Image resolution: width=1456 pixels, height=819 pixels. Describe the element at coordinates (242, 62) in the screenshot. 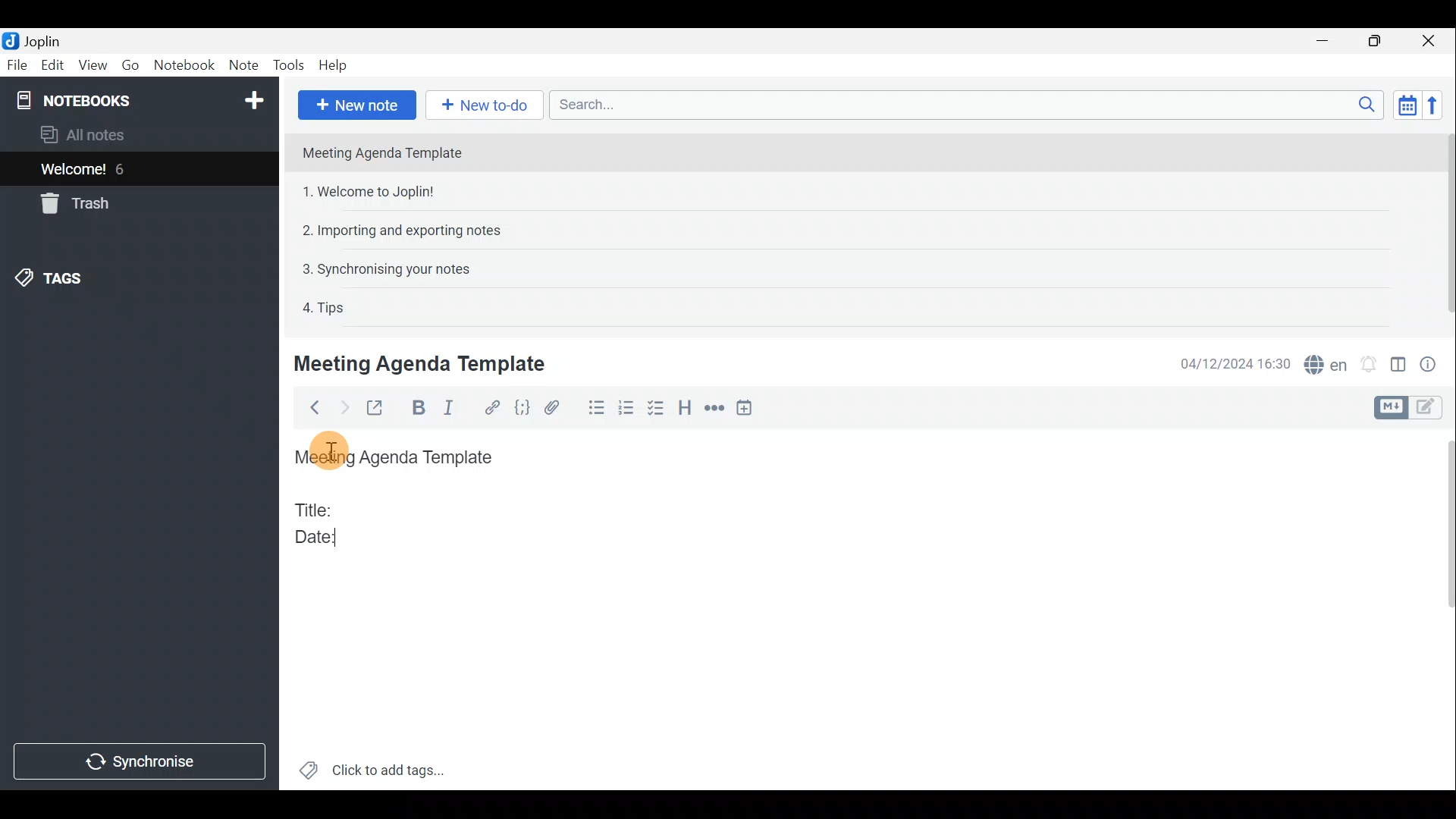

I see `Note` at that location.